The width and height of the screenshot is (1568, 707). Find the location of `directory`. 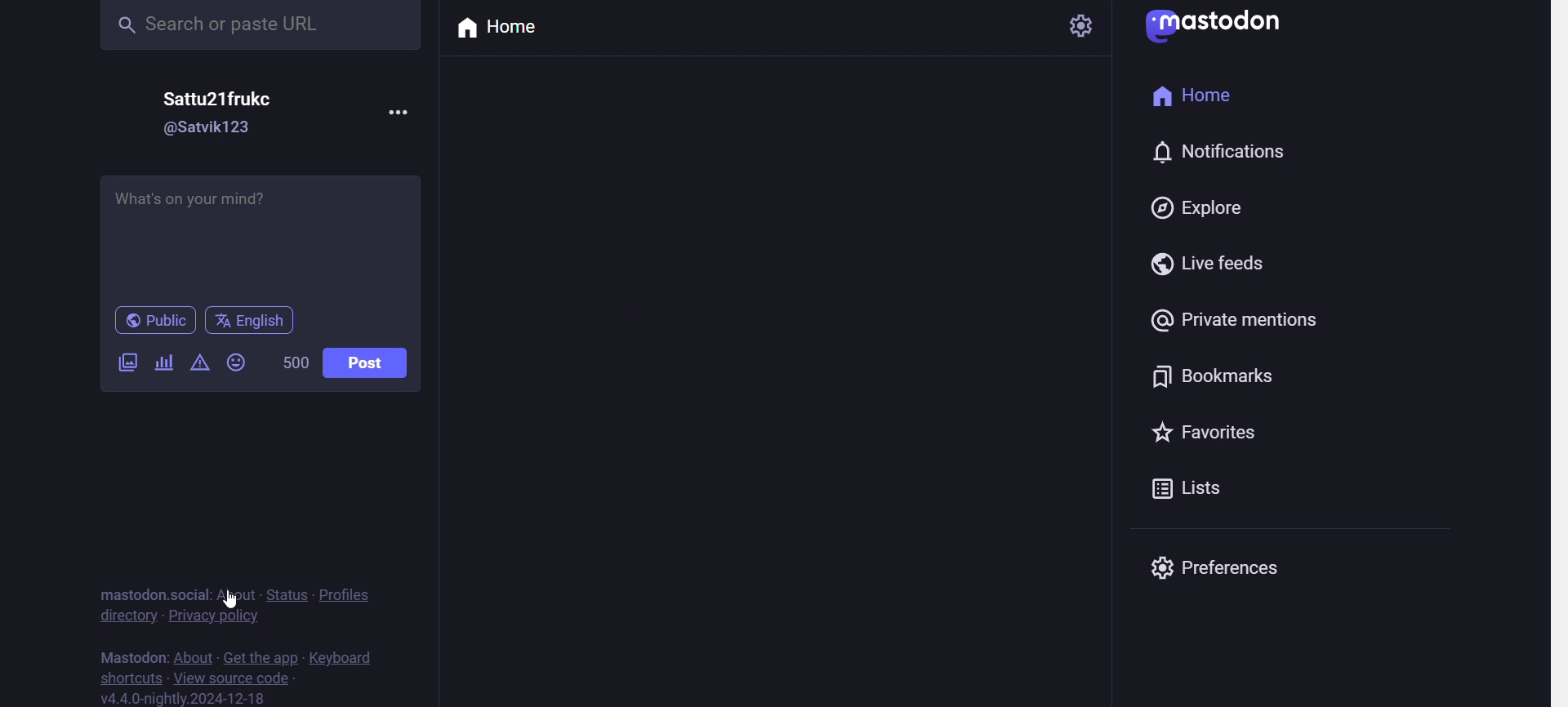

directory is located at coordinates (126, 618).